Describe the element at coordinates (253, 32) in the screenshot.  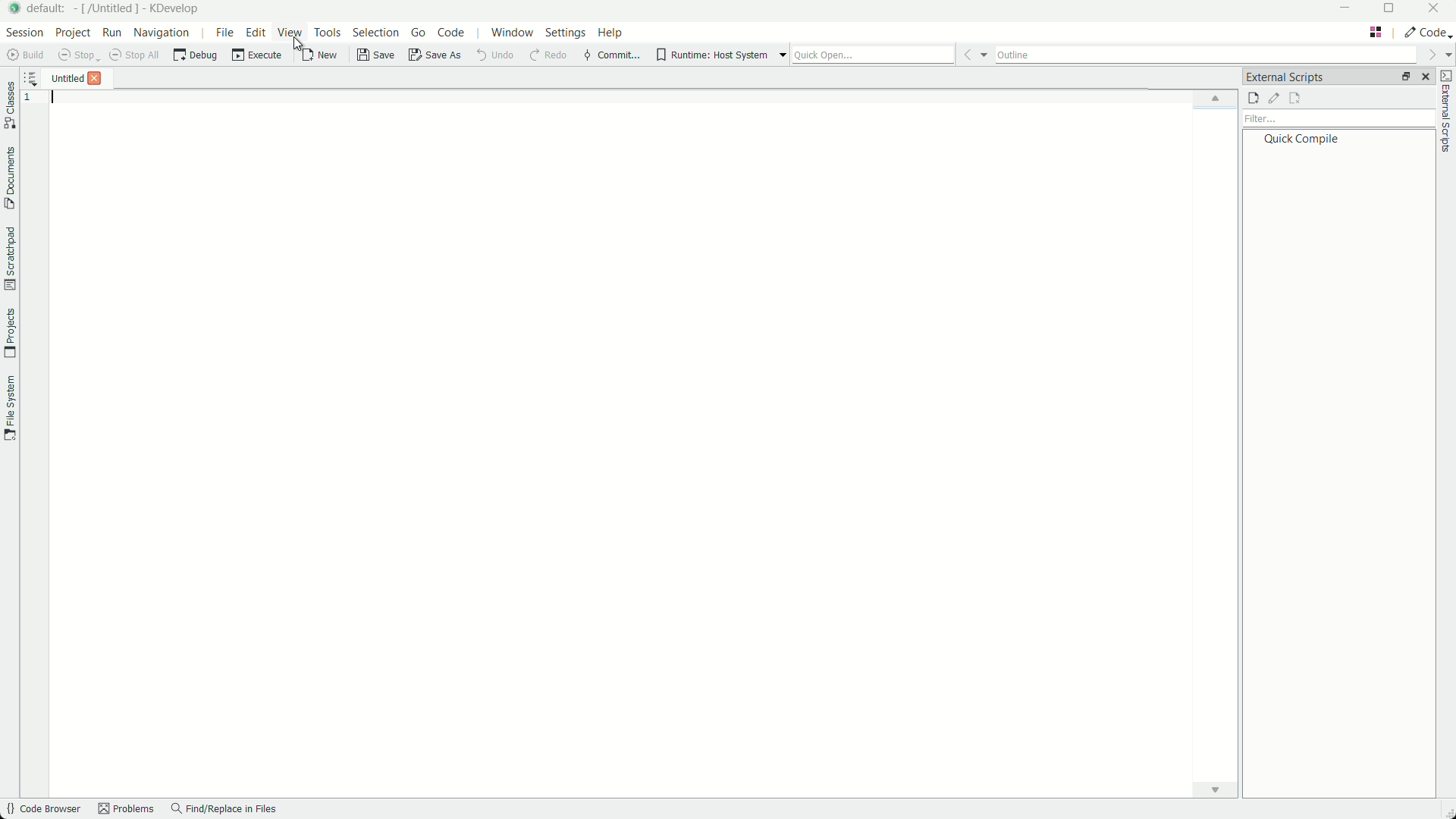
I see `edit` at that location.